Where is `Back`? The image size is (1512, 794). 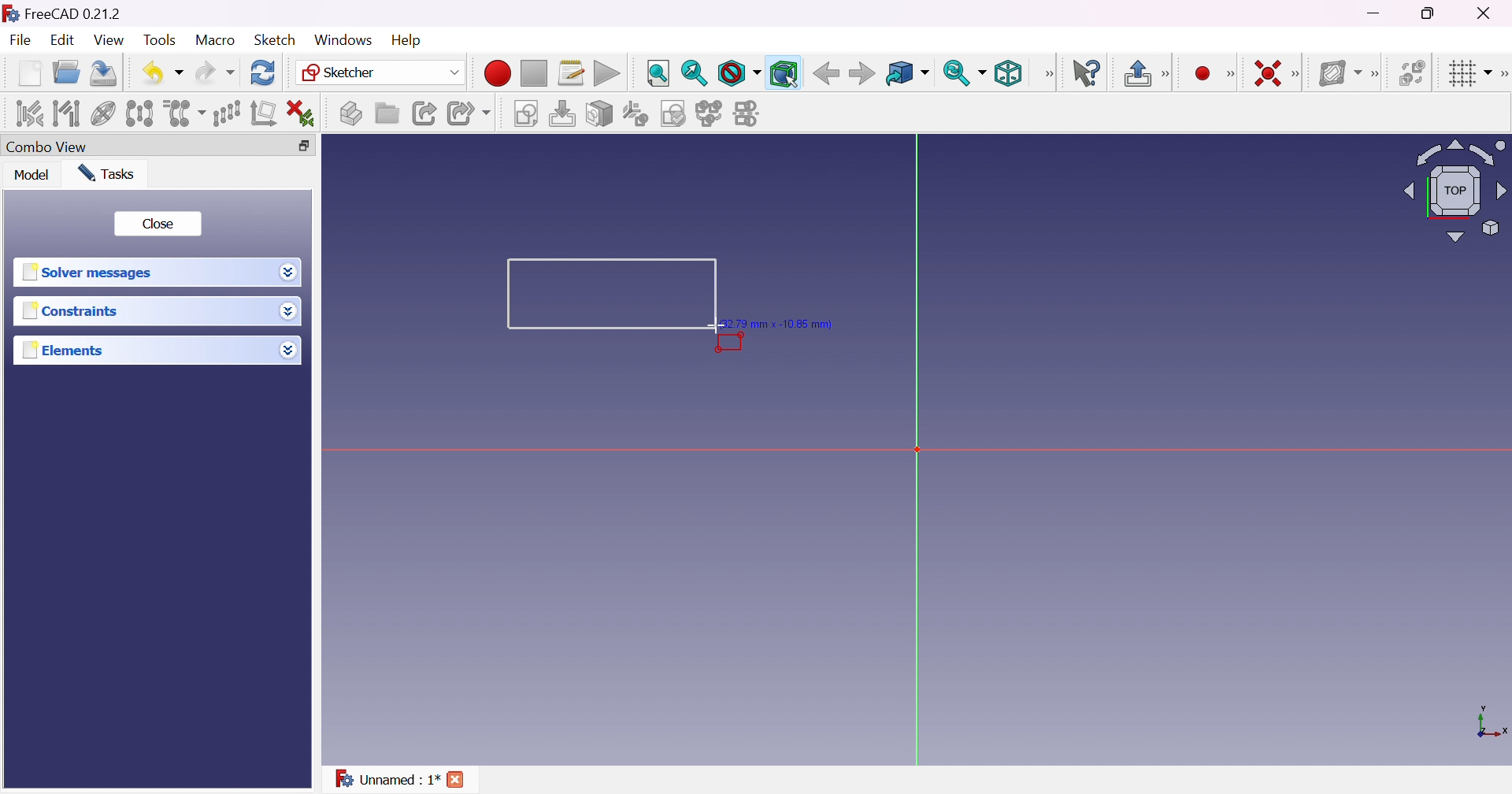
Back is located at coordinates (826, 74).